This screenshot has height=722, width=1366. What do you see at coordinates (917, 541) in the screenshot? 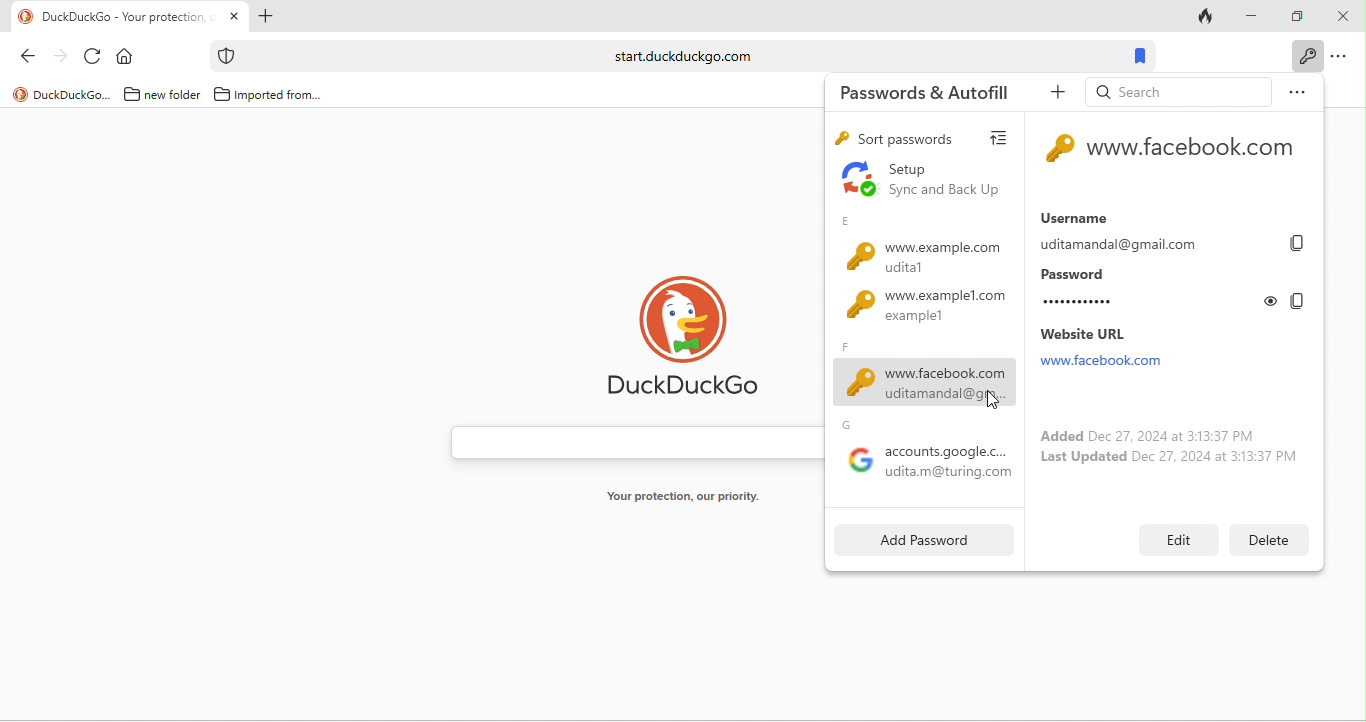
I see `add password` at bounding box center [917, 541].